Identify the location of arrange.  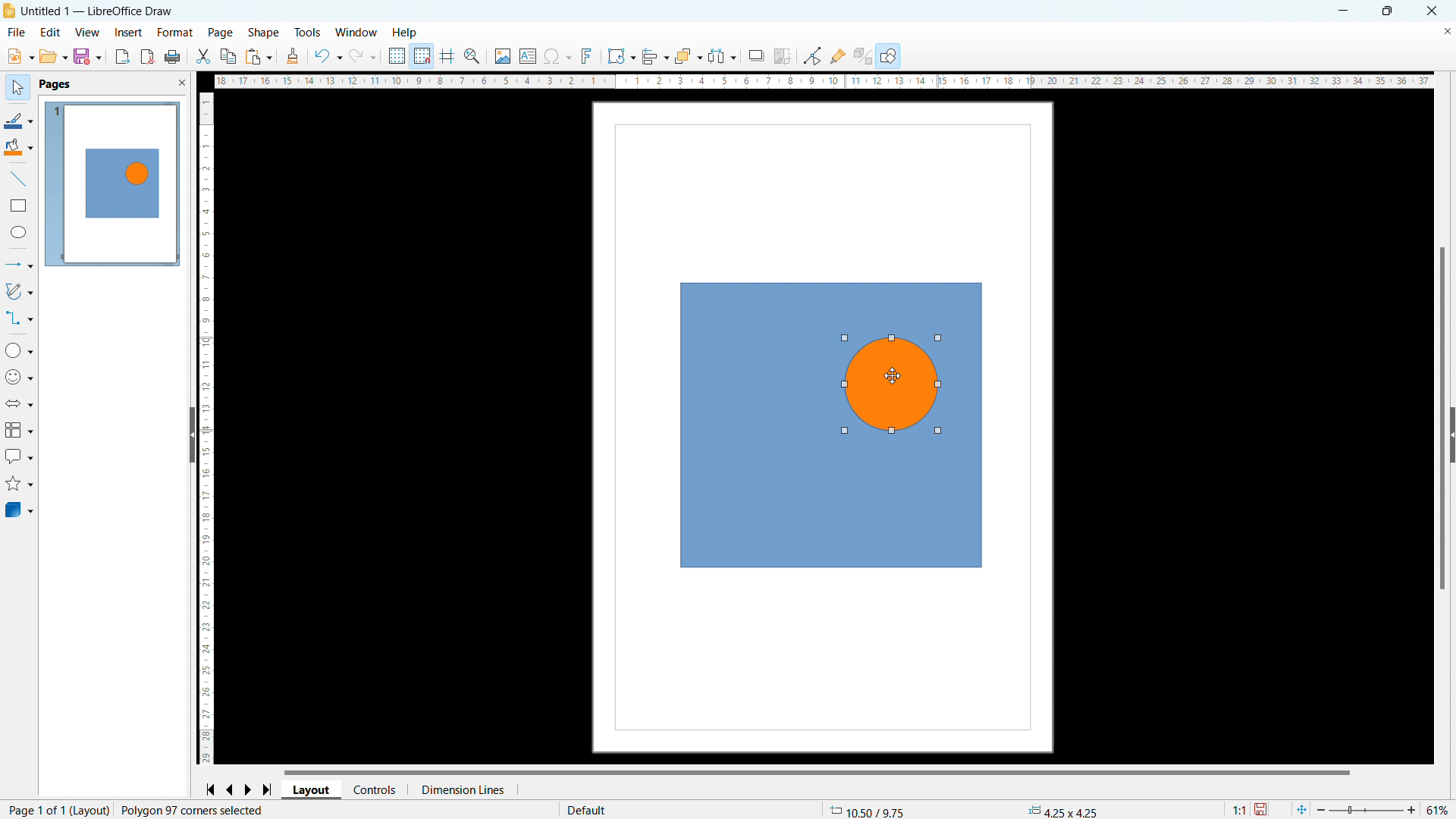
(688, 57).